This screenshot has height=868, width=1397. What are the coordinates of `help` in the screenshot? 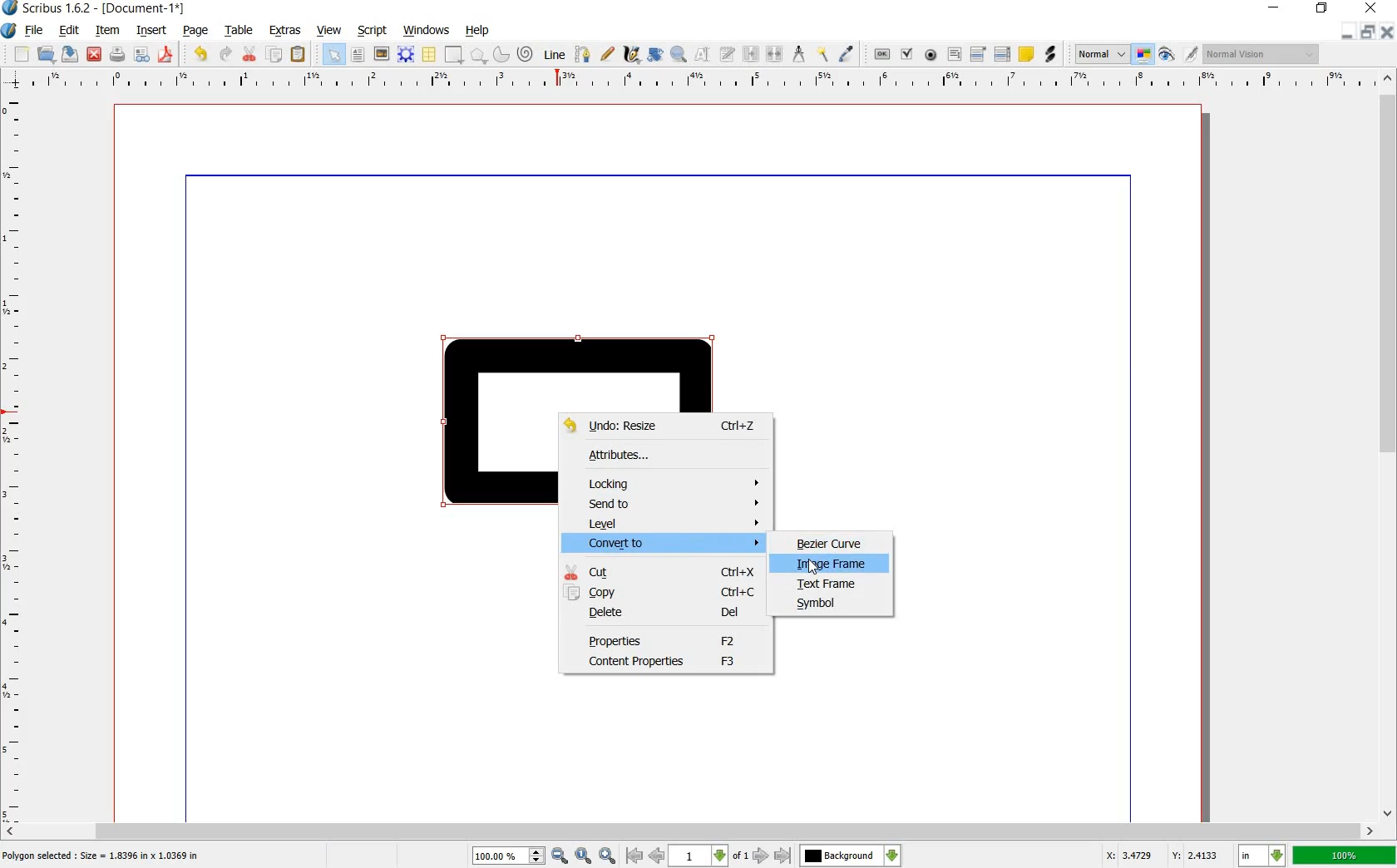 It's located at (478, 32).